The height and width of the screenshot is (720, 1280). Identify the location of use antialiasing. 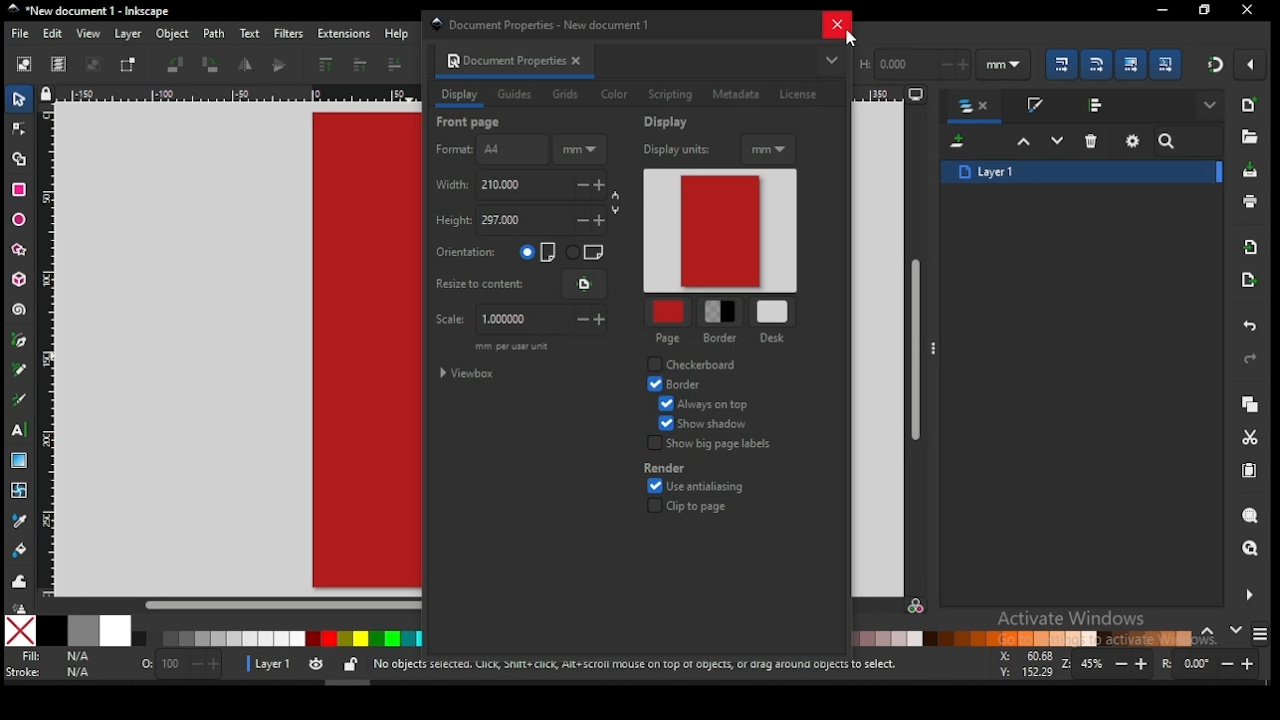
(696, 487).